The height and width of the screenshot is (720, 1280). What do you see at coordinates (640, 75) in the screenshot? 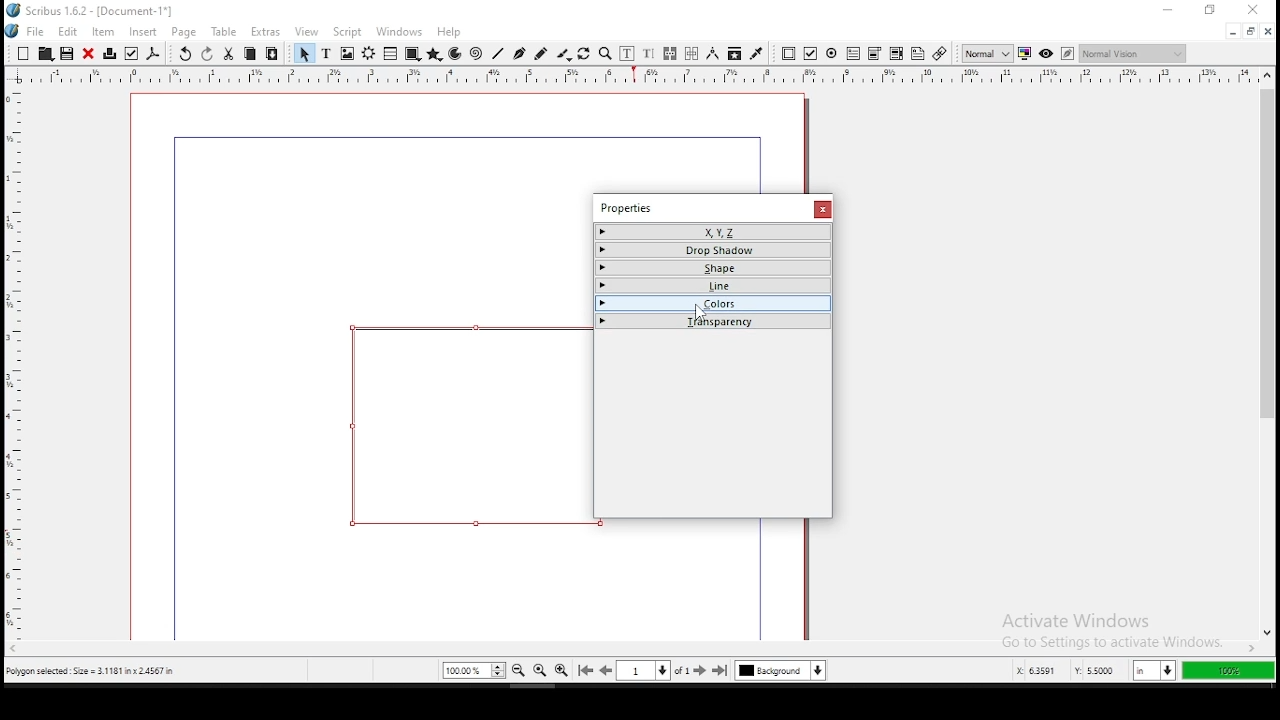
I see `vertical ruler` at bounding box center [640, 75].